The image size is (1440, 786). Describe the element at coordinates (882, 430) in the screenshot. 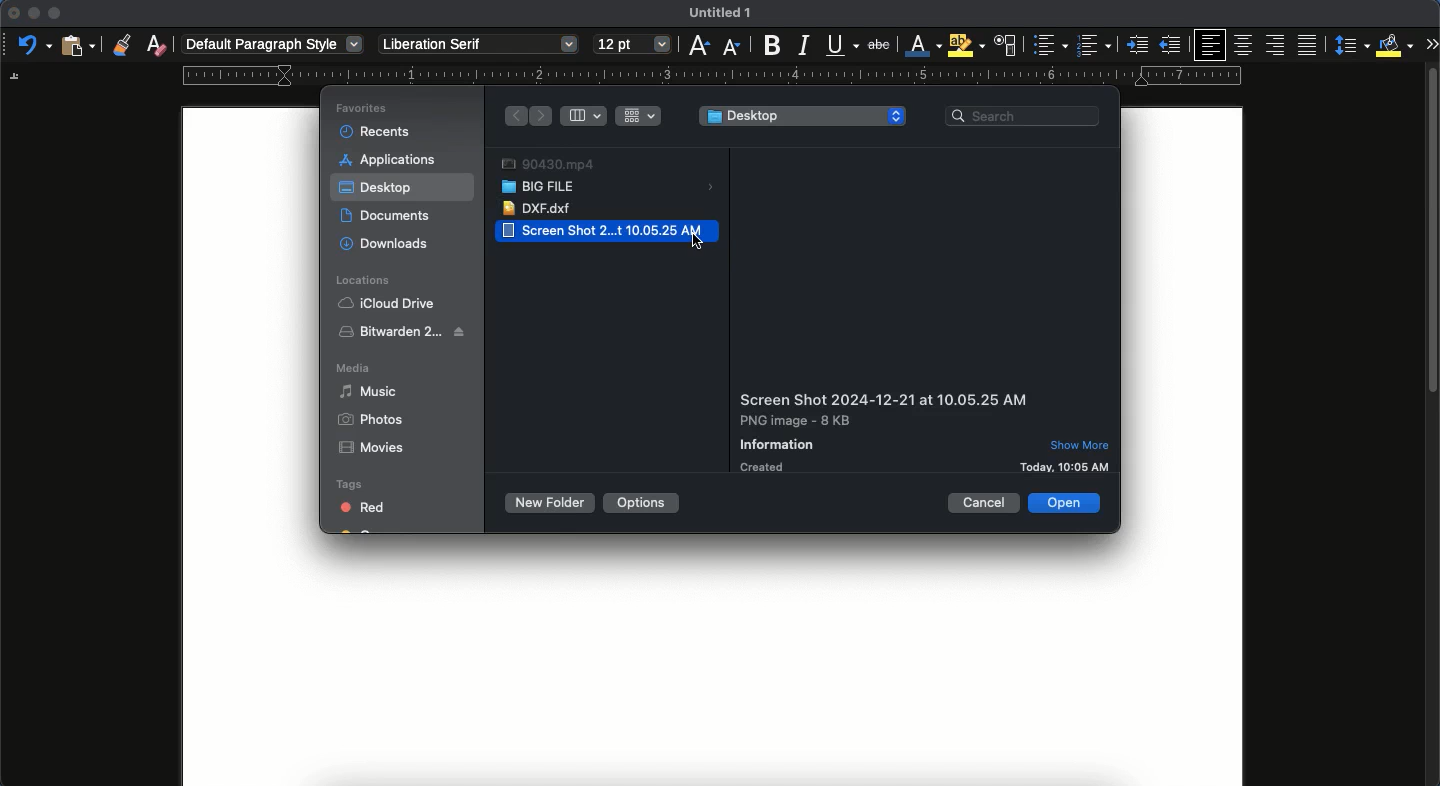

I see `details` at that location.